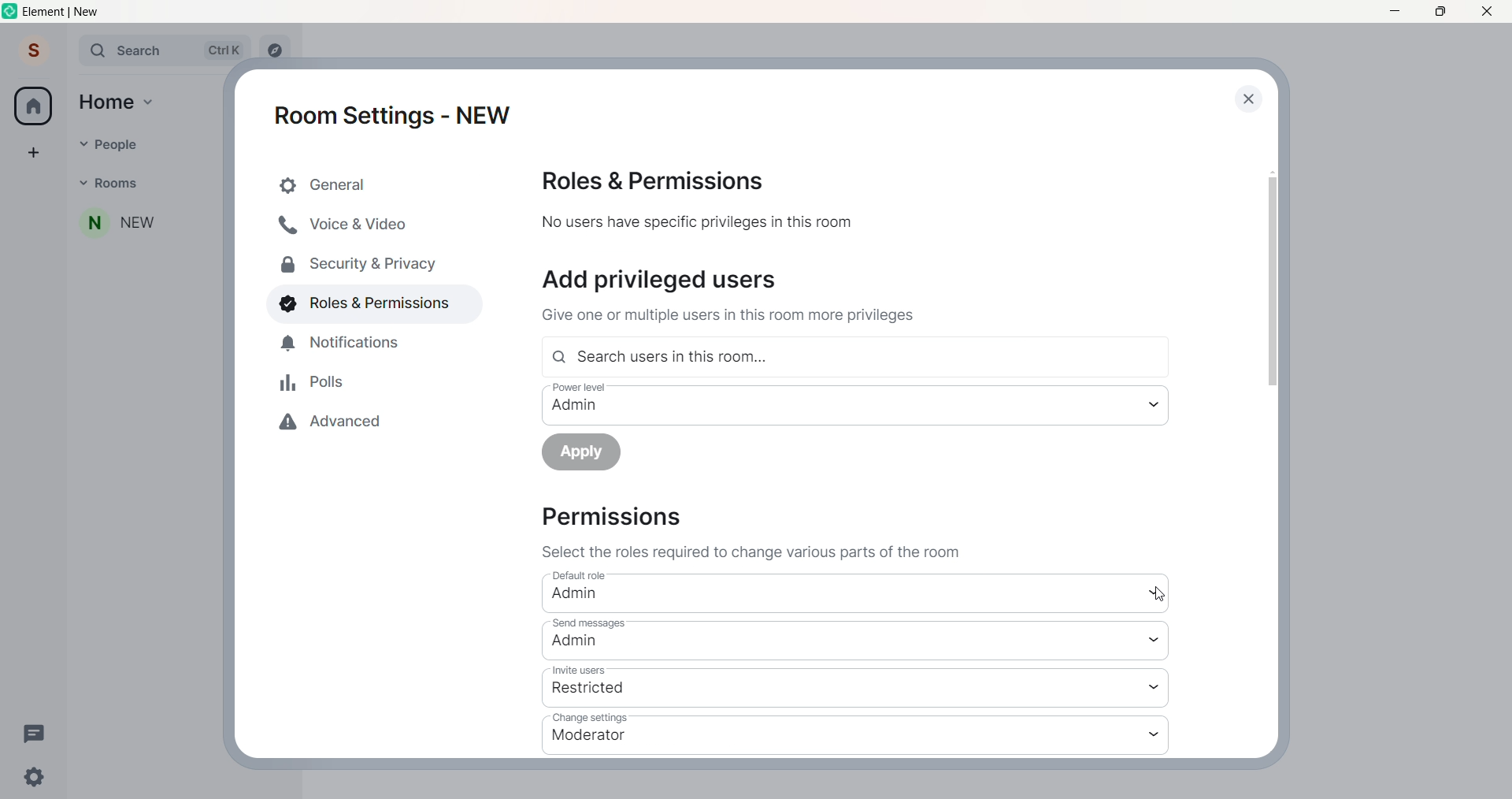  What do you see at coordinates (1159, 639) in the screenshot?
I see `send message dropdown` at bounding box center [1159, 639].